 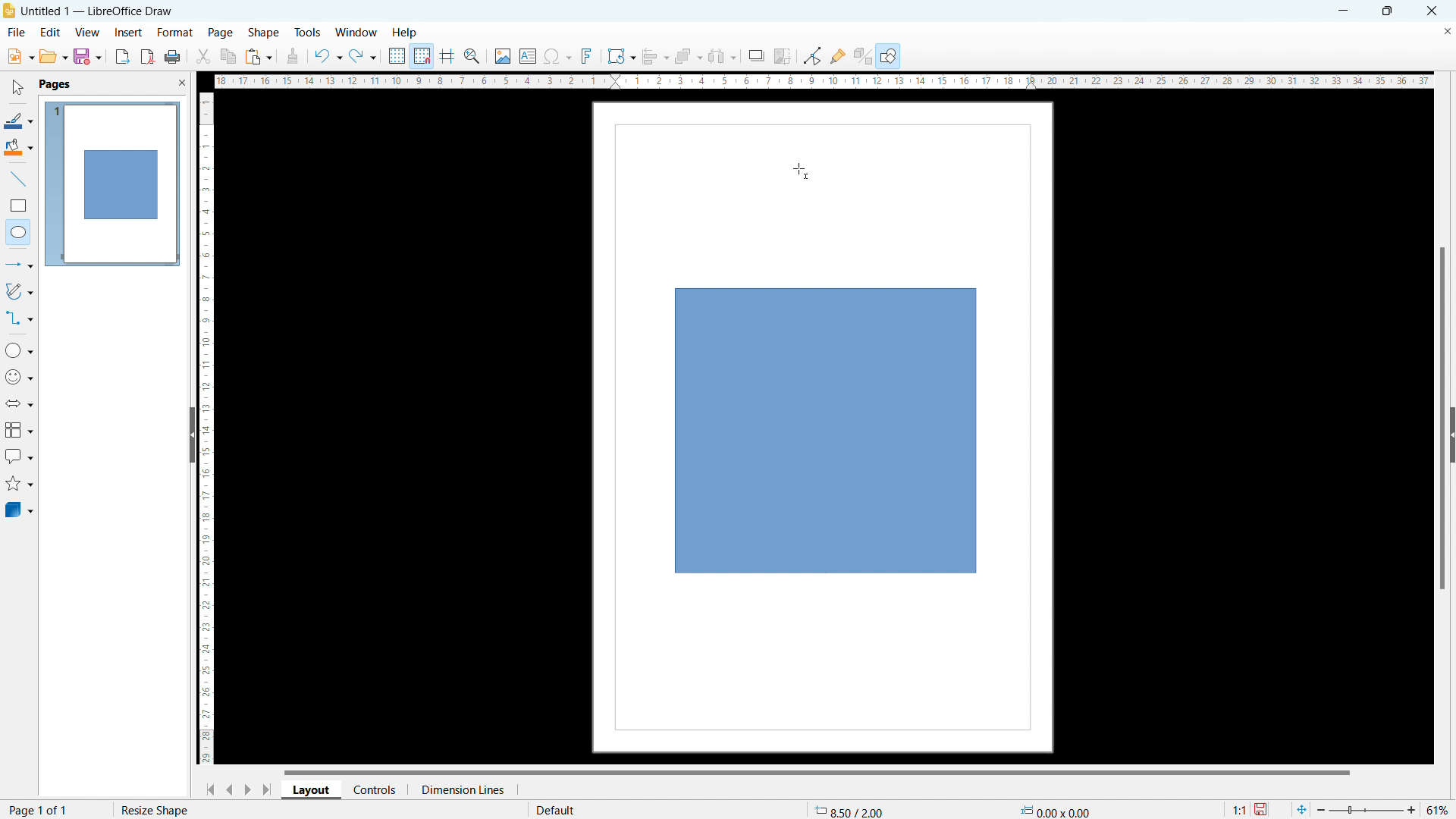 What do you see at coordinates (19, 180) in the screenshot?
I see `line` at bounding box center [19, 180].